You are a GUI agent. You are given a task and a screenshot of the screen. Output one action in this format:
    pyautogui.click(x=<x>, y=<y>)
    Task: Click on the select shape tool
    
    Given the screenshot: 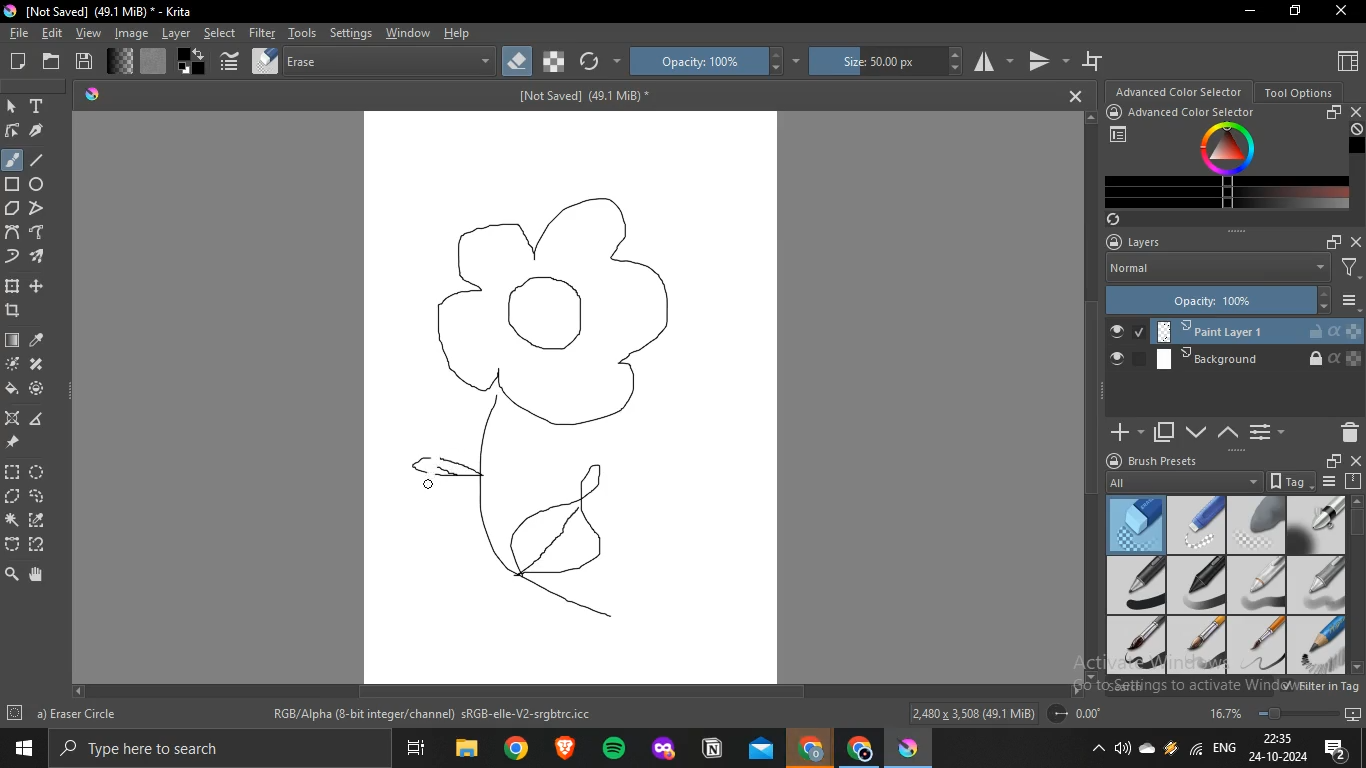 What is the action you would take?
    pyautogui.click(x=13, y=105)
    